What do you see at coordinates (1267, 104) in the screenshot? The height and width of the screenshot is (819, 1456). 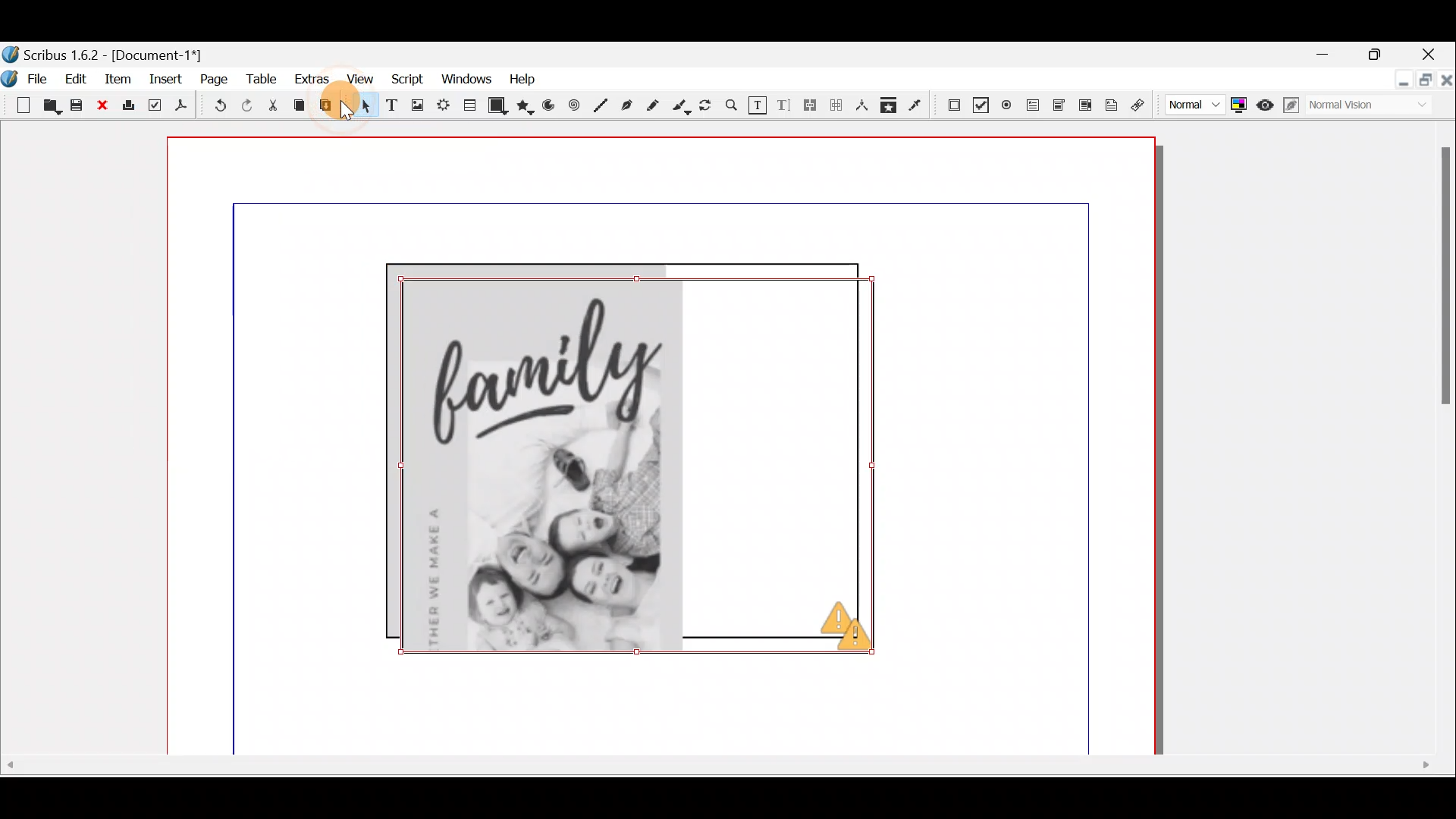 I see `Preview mode` at bounding box center [1267, 104].